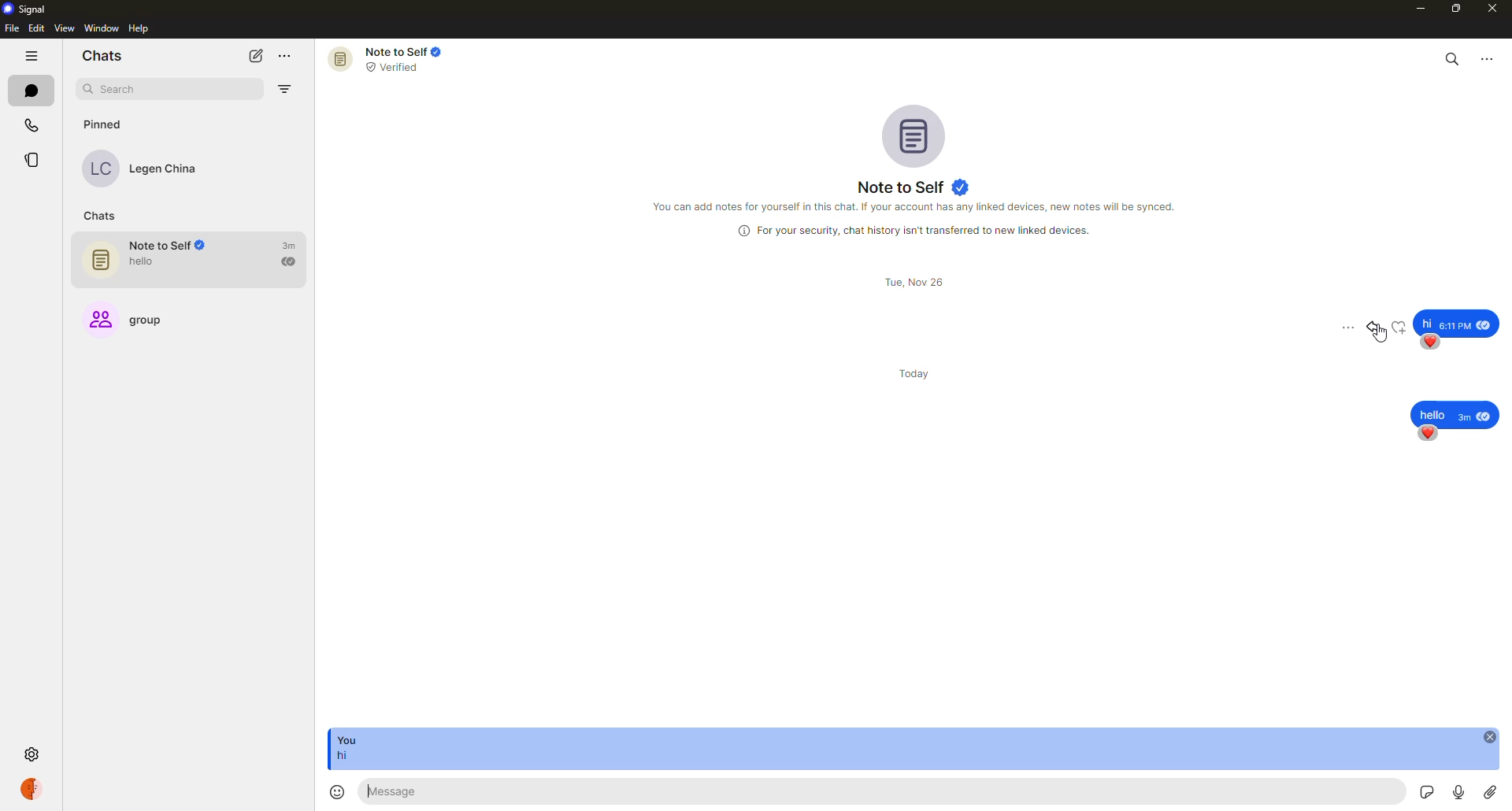  I want to click on message reply, so click(360, 749).